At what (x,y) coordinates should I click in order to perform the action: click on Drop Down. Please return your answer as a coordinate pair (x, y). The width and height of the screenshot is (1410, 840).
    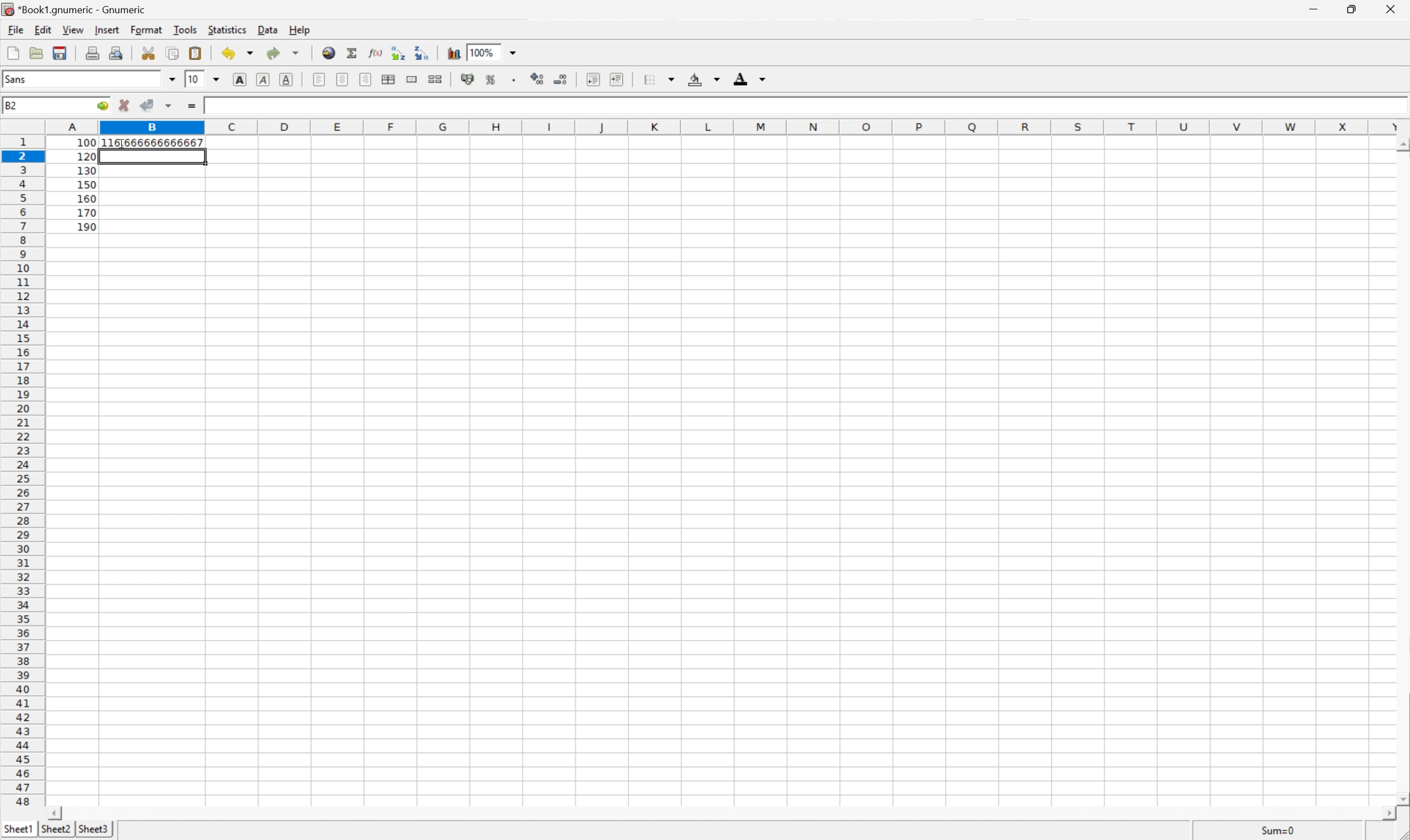
    Looking at the image, I should click on (511, 51).